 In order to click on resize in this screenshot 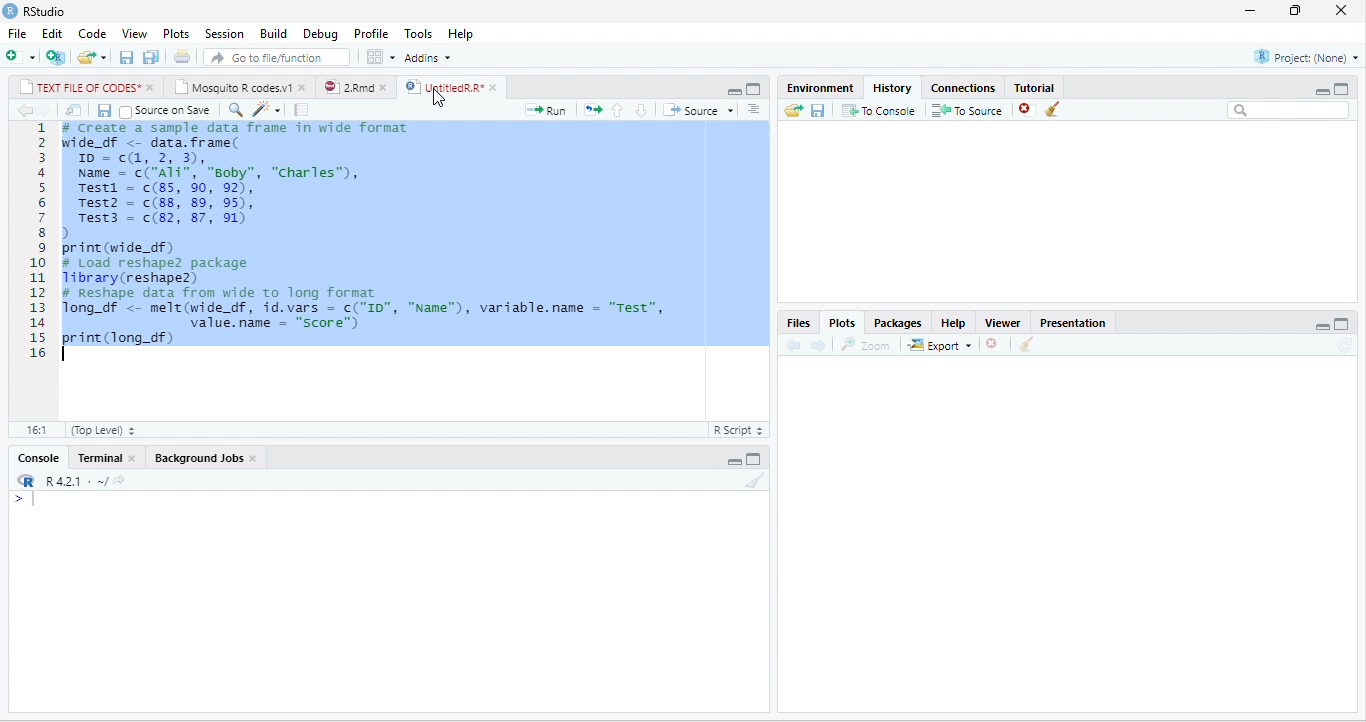, I will do `click(1295, 11)`.